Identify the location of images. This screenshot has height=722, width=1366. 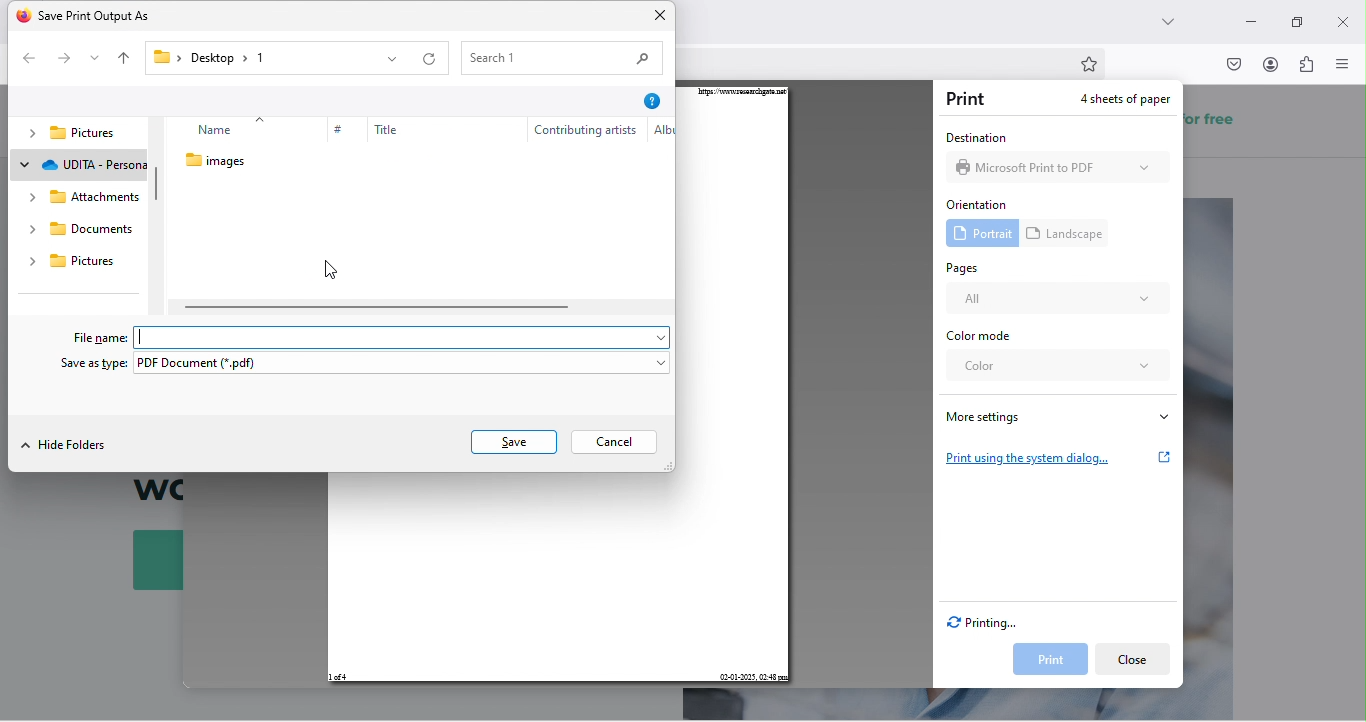
(224, 164).